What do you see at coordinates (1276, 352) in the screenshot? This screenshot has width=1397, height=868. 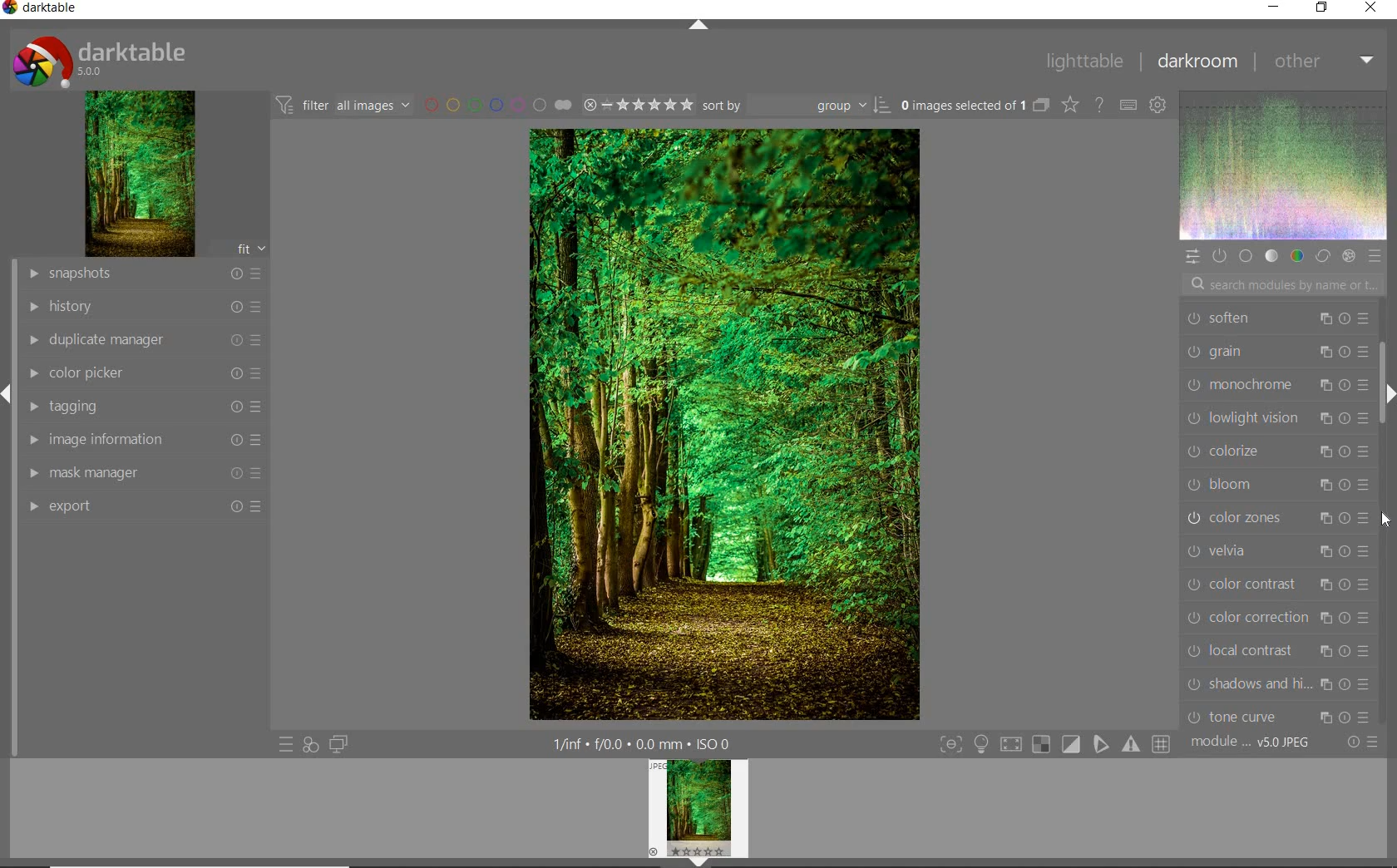 I see `grain` at bounding box center [1276, 352].